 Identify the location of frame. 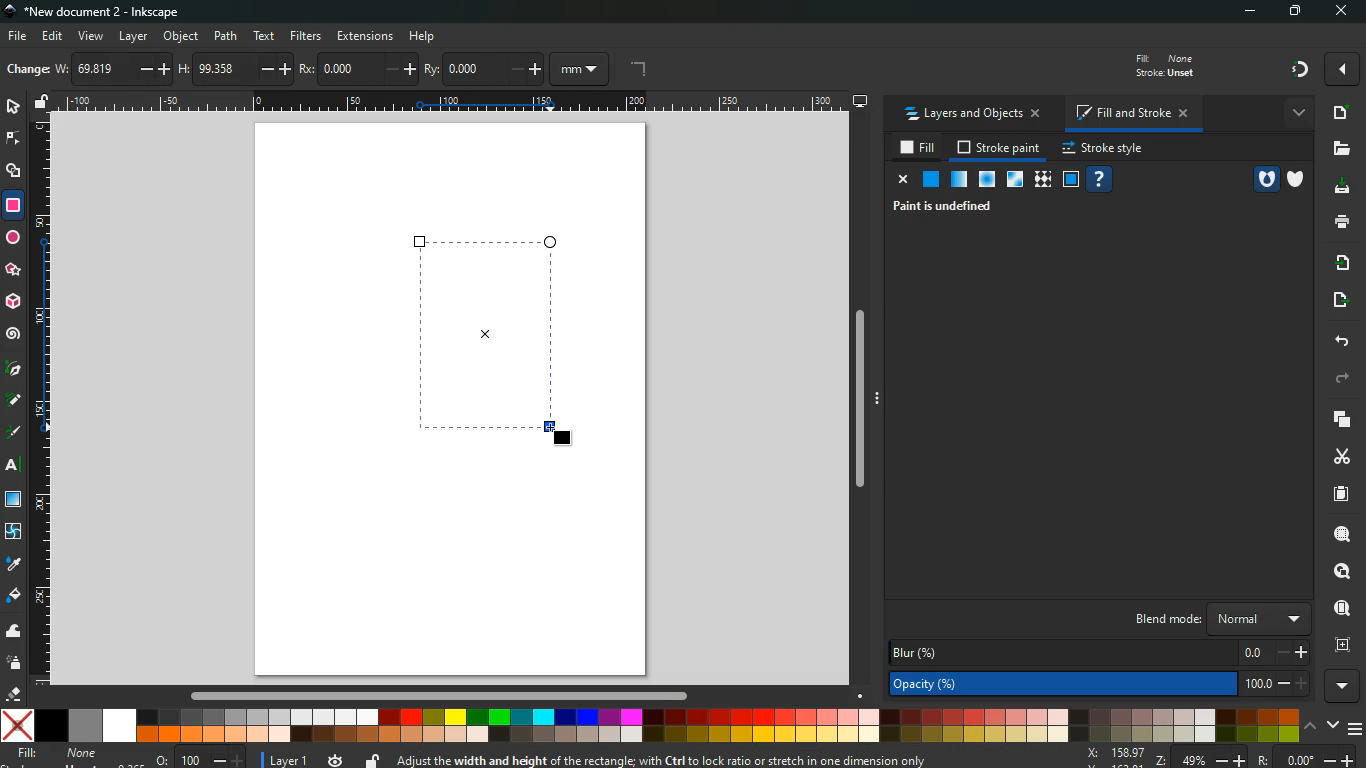
(1341, 645).